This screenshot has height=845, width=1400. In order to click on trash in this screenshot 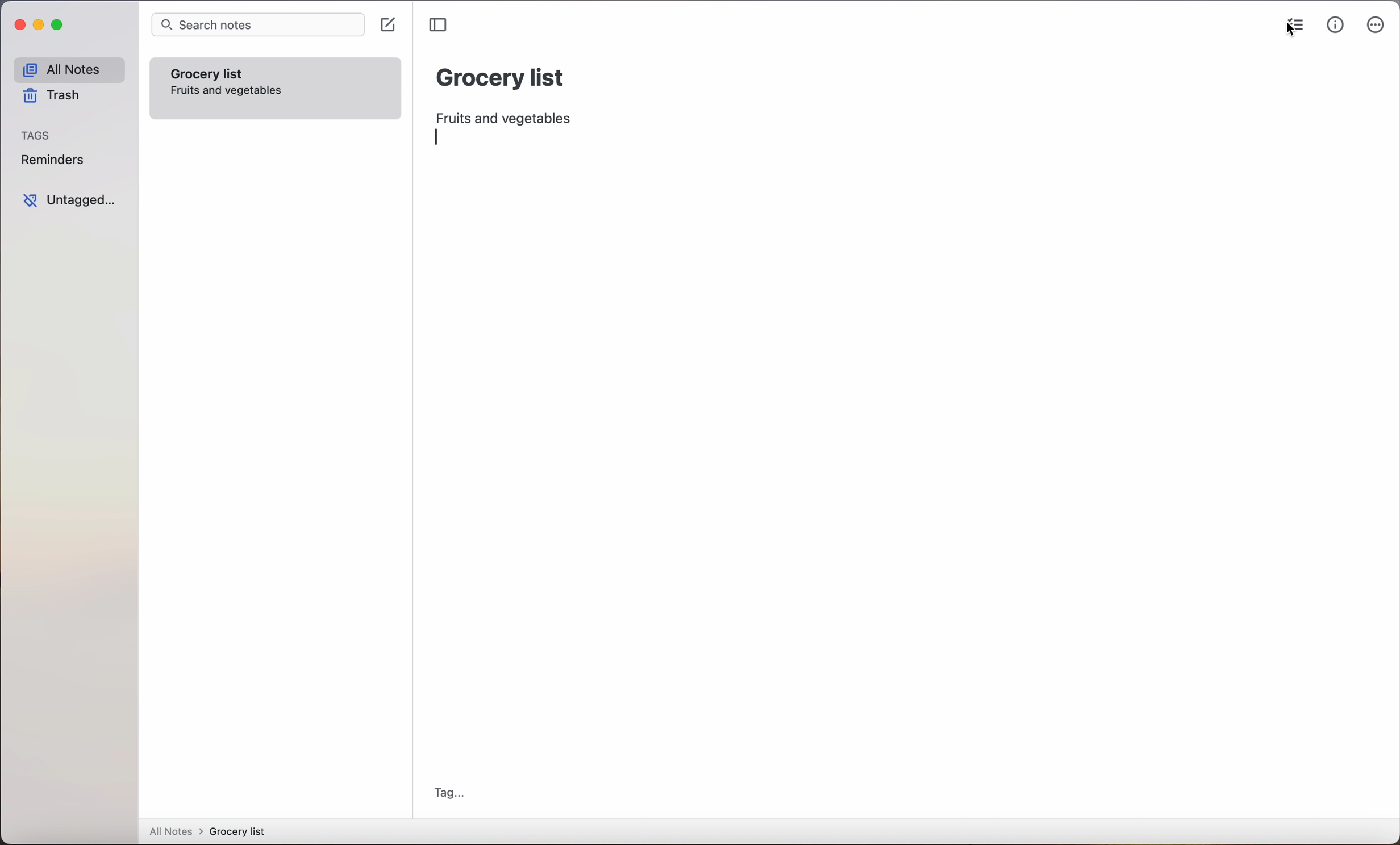, I will do `click(50, 98)`.